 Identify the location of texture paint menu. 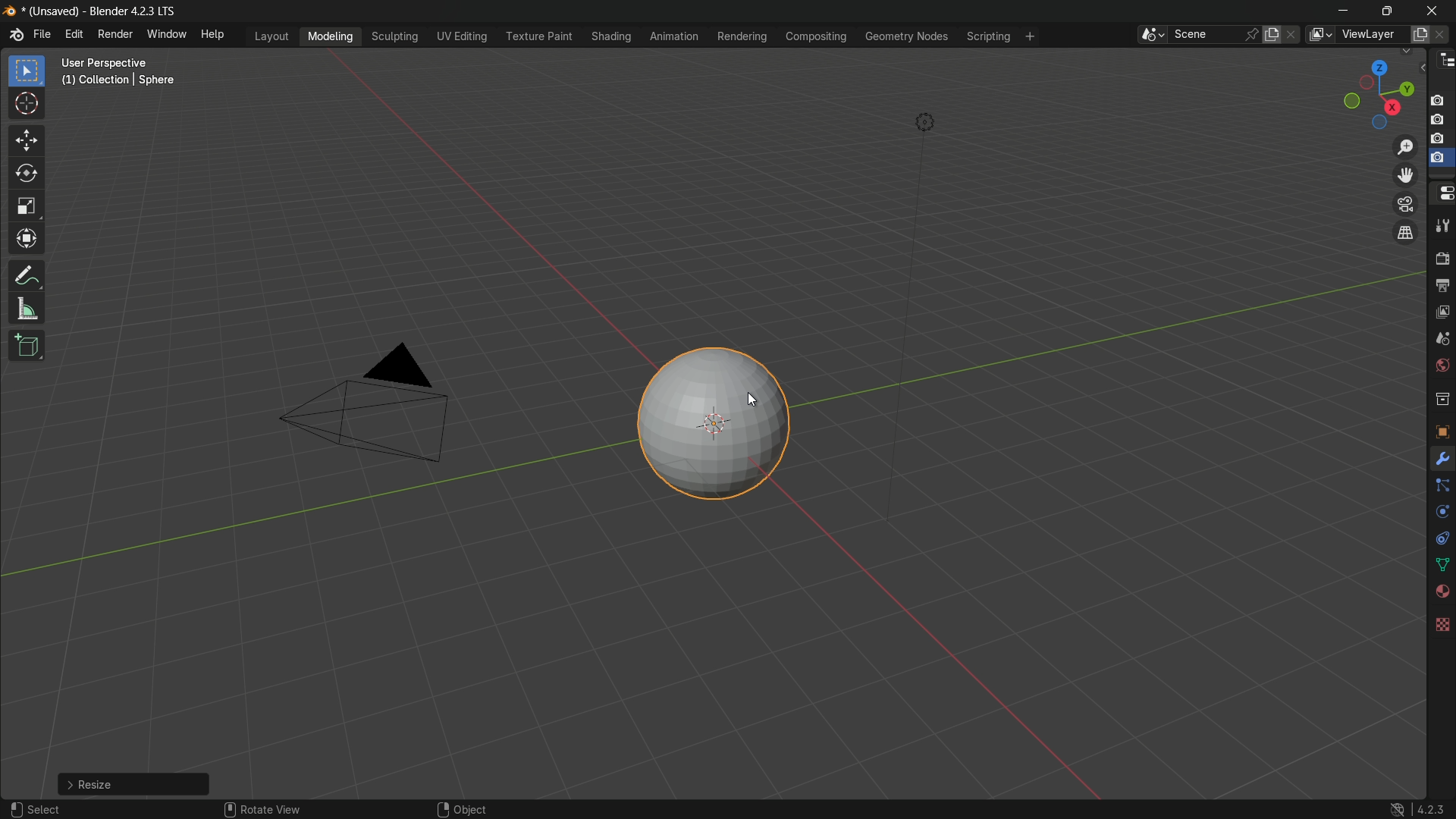
(538, 36).